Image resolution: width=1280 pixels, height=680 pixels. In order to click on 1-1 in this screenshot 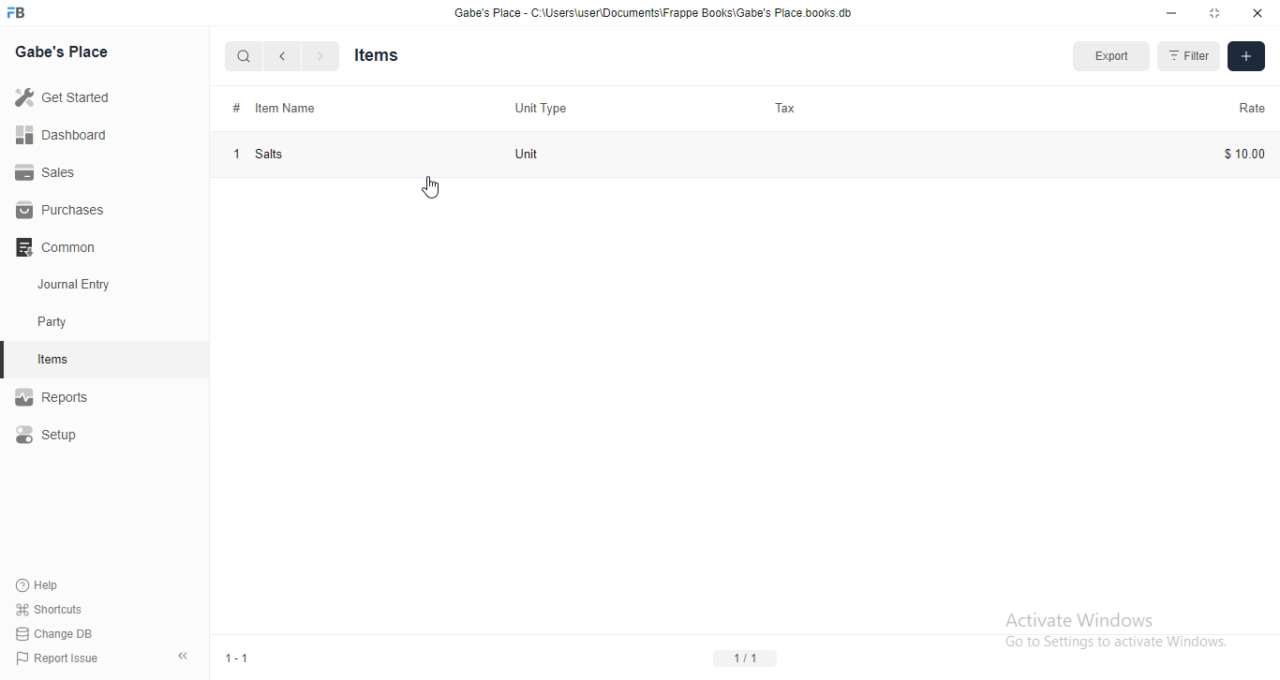, I will do `click(243, 656)`.